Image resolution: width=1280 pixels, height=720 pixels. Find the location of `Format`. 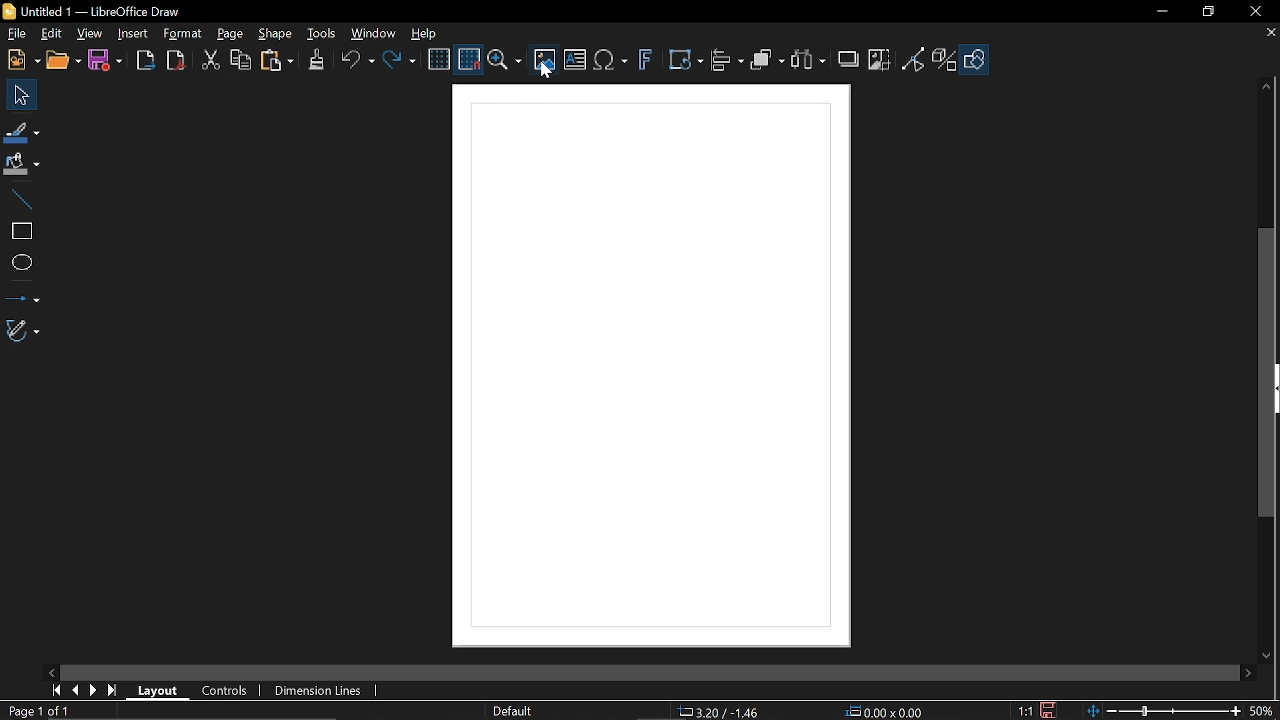

Format is located at coordinates (184, 34).